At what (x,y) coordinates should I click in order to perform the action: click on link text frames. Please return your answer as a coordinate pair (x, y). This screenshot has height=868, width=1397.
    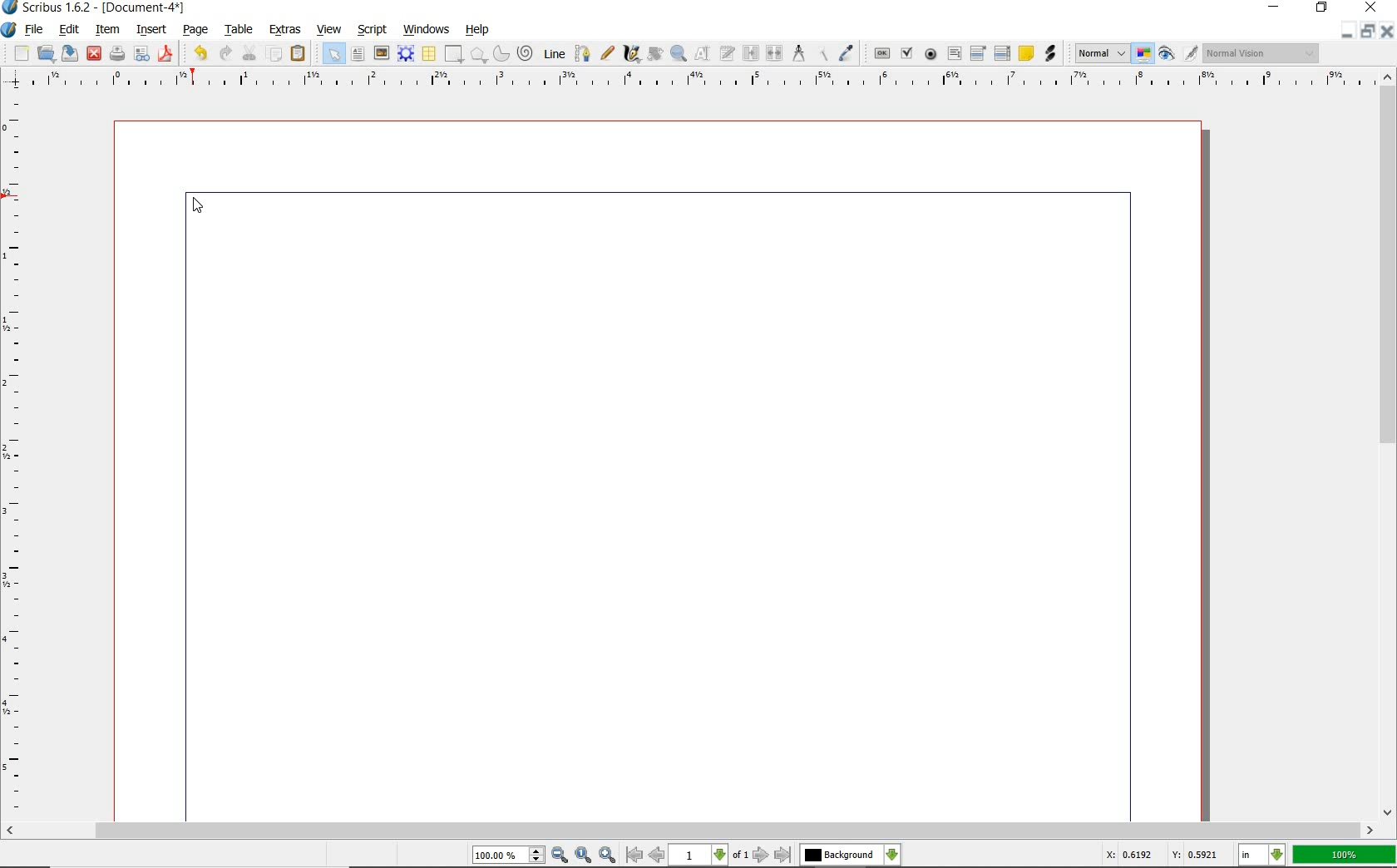
    Looking at the image, I should click on (748, 52).